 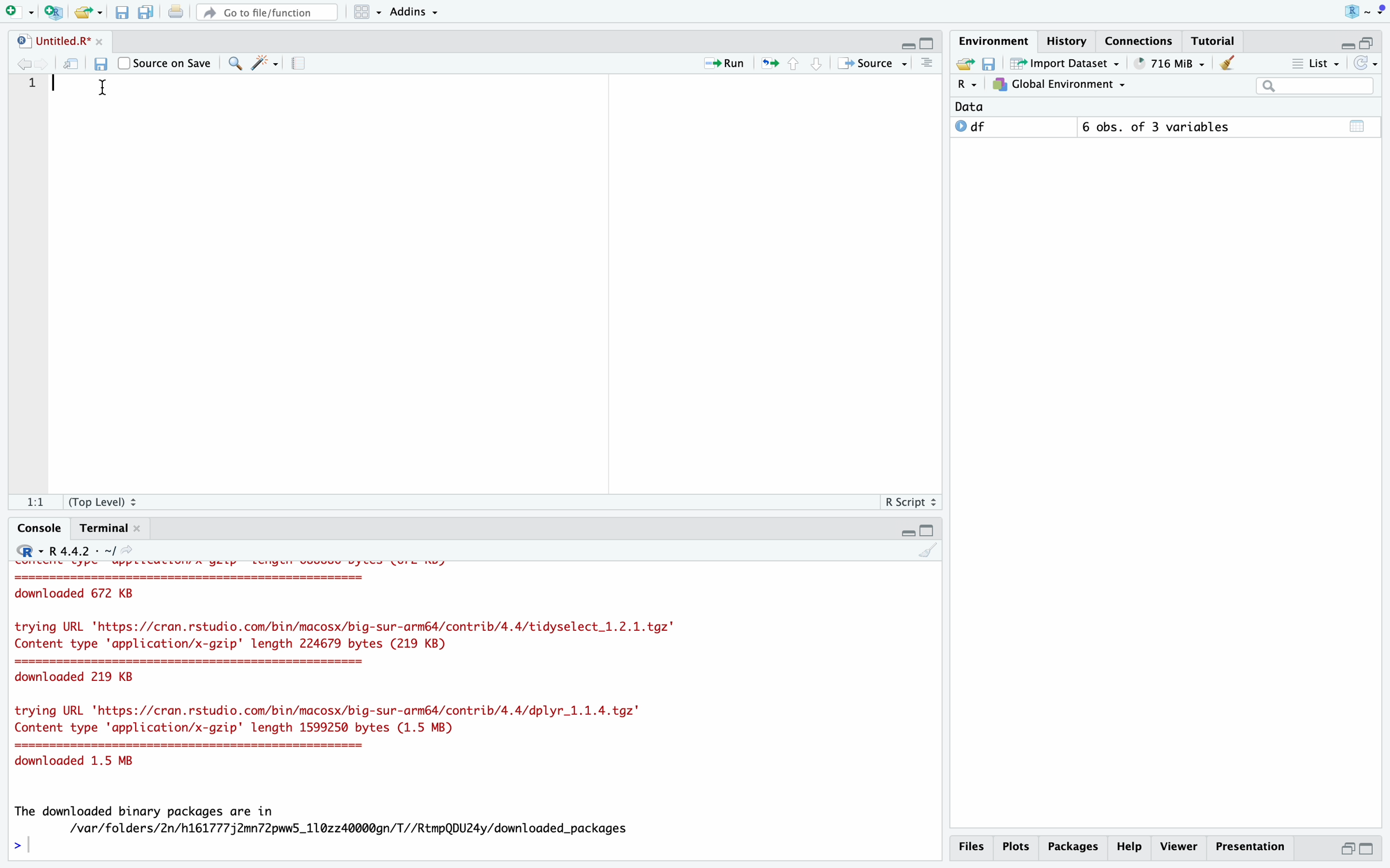 What do you see at coordinates (769, 63) in the screenshot?
I see `Re-run the previous location code` at bounding box center [769, 63].